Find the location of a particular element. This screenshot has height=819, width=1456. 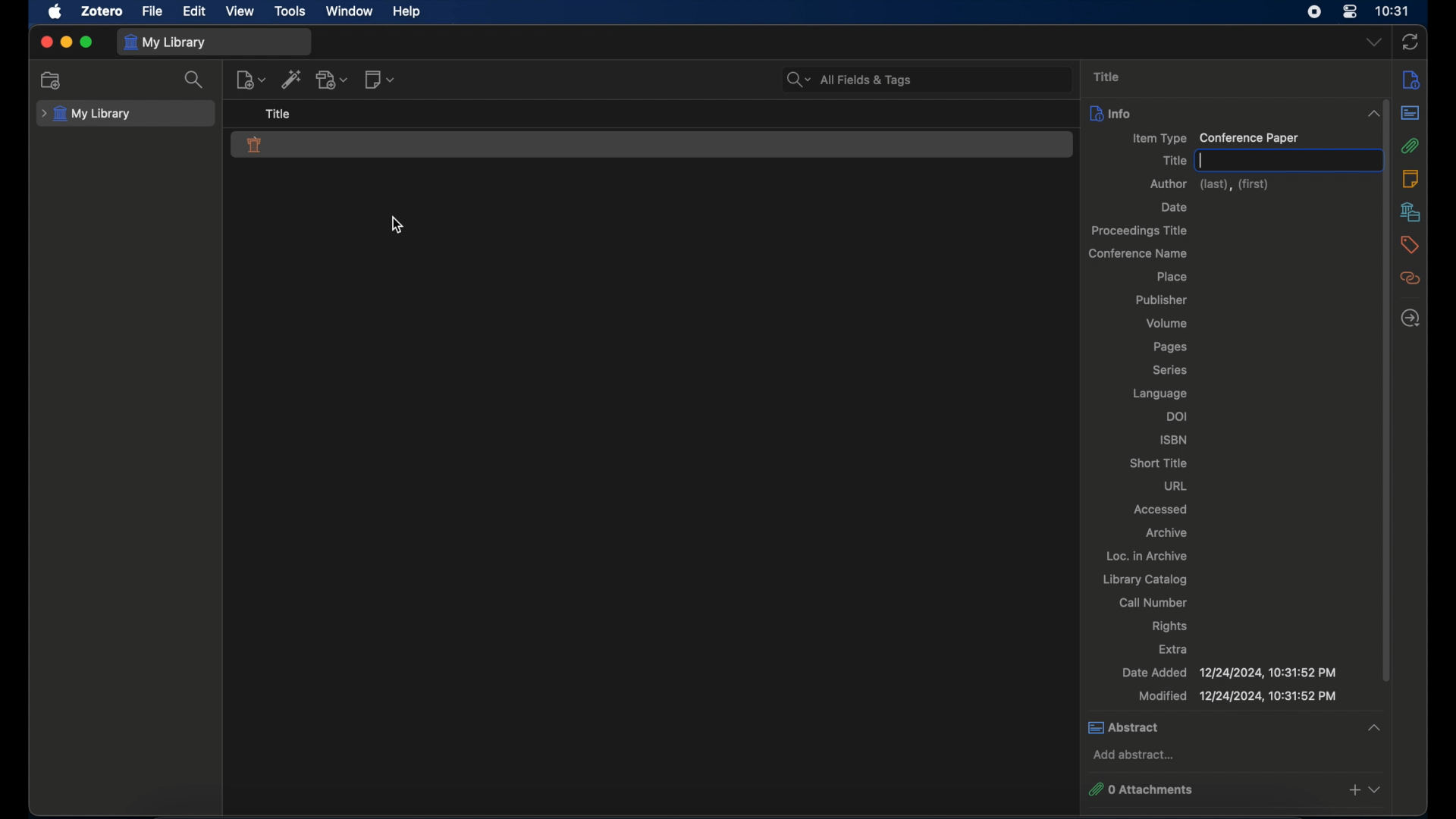

screen recorder is located at coordinates (1314, 12).